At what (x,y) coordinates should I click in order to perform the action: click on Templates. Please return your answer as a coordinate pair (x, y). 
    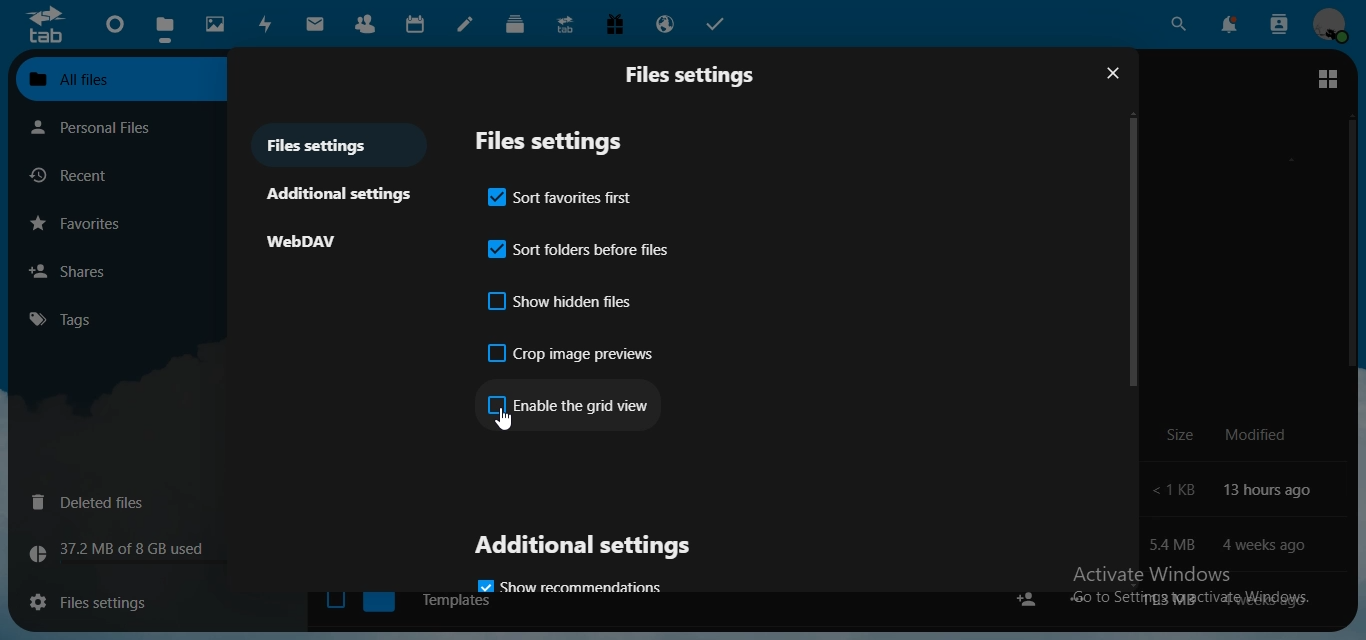
    Looking at the image, I should click on (438, 606).